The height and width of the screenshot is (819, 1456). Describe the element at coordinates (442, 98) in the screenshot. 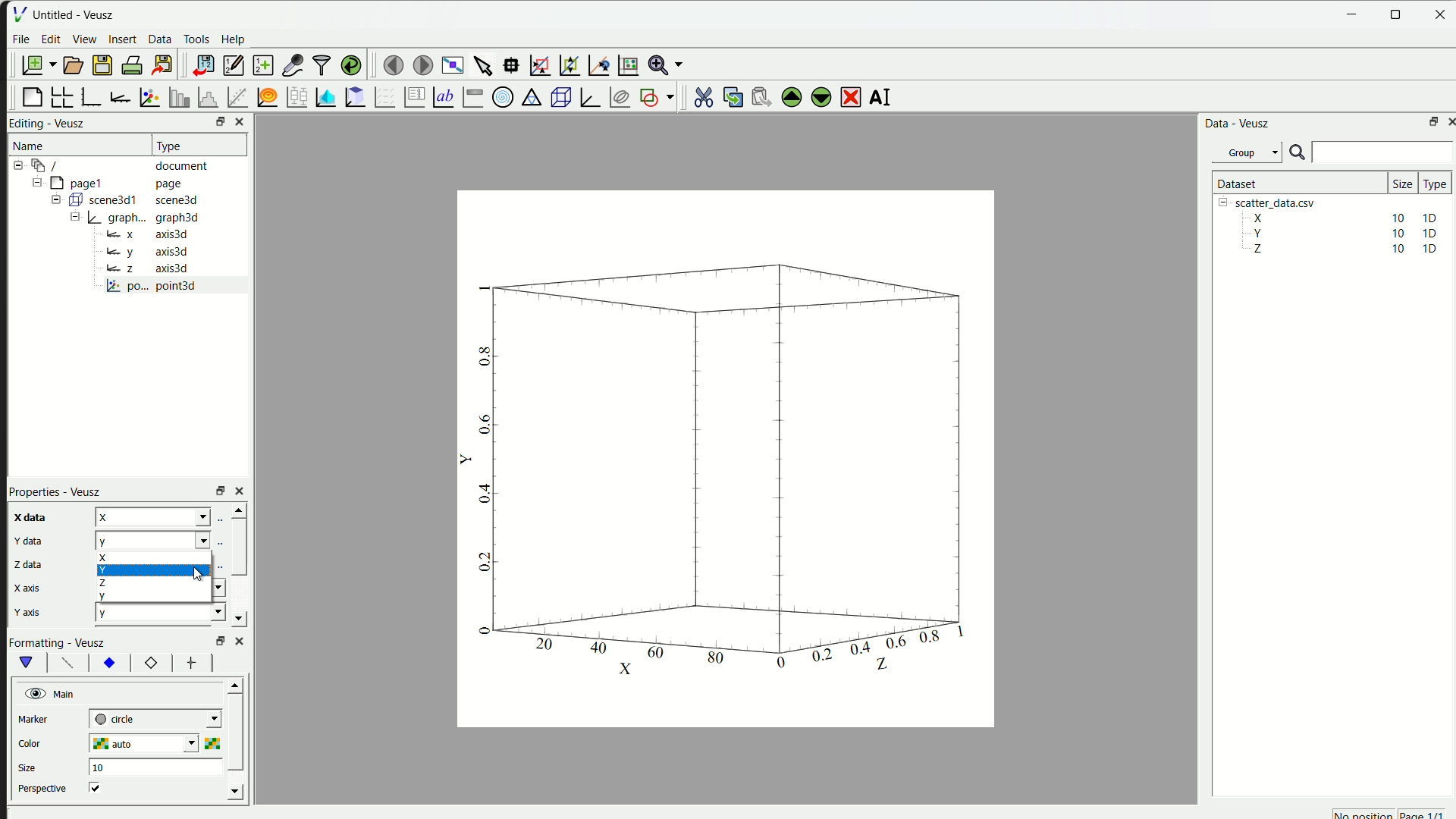

I see `Text label` at that location.